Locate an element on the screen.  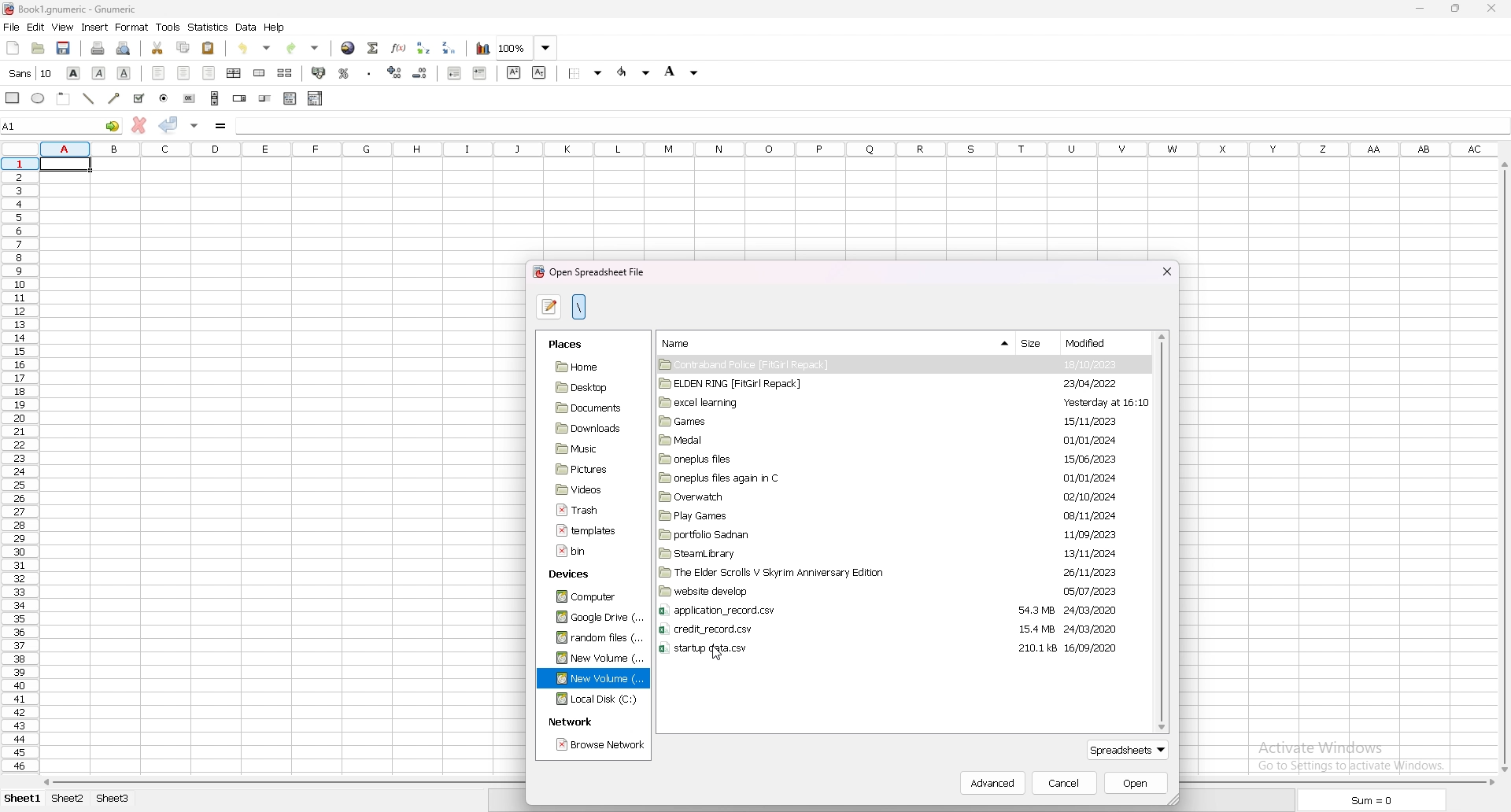
subscript is located at coordinates (538, 72).